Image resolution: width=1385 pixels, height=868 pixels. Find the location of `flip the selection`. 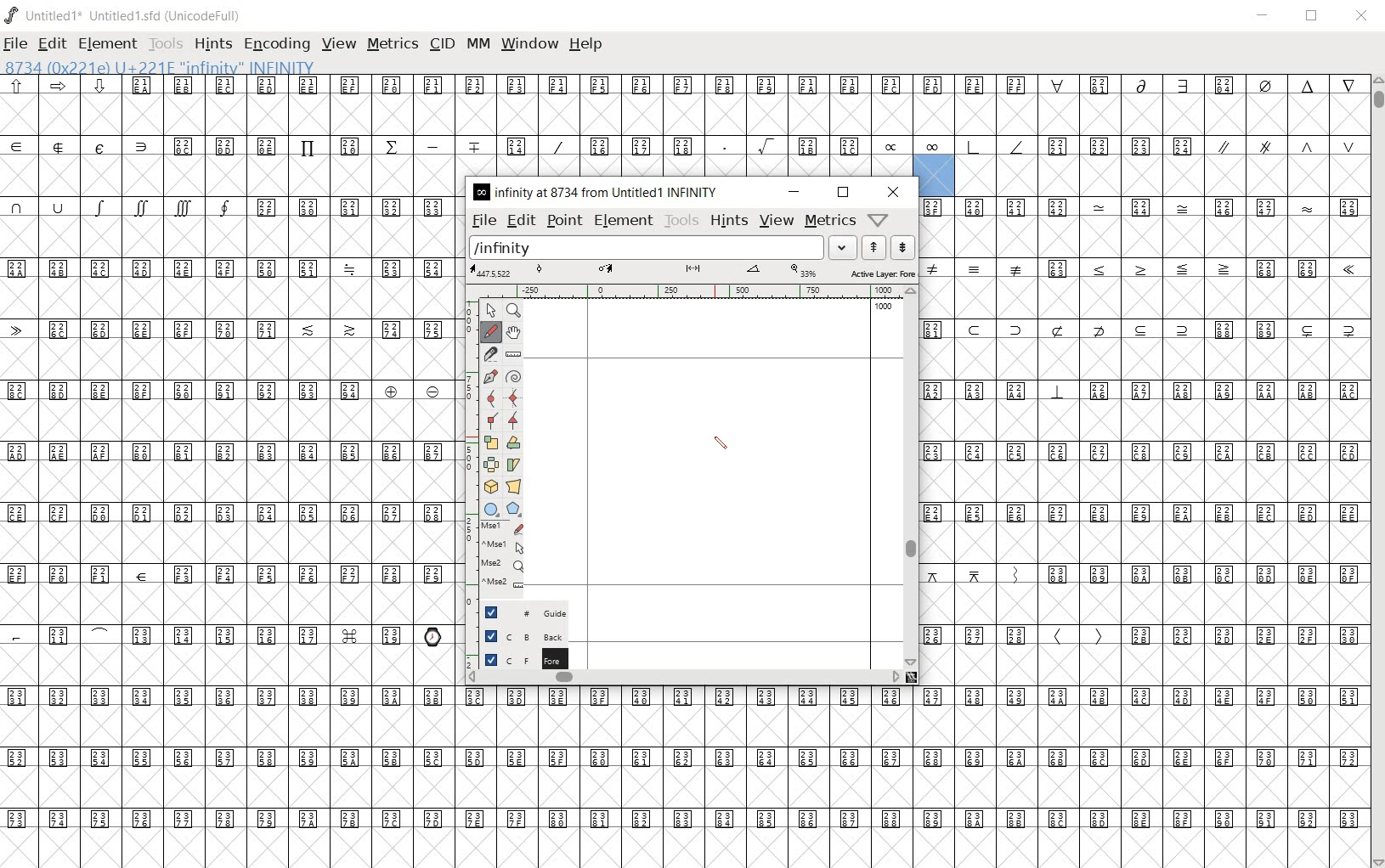

flip the selection is located at coordinates (490, 464).